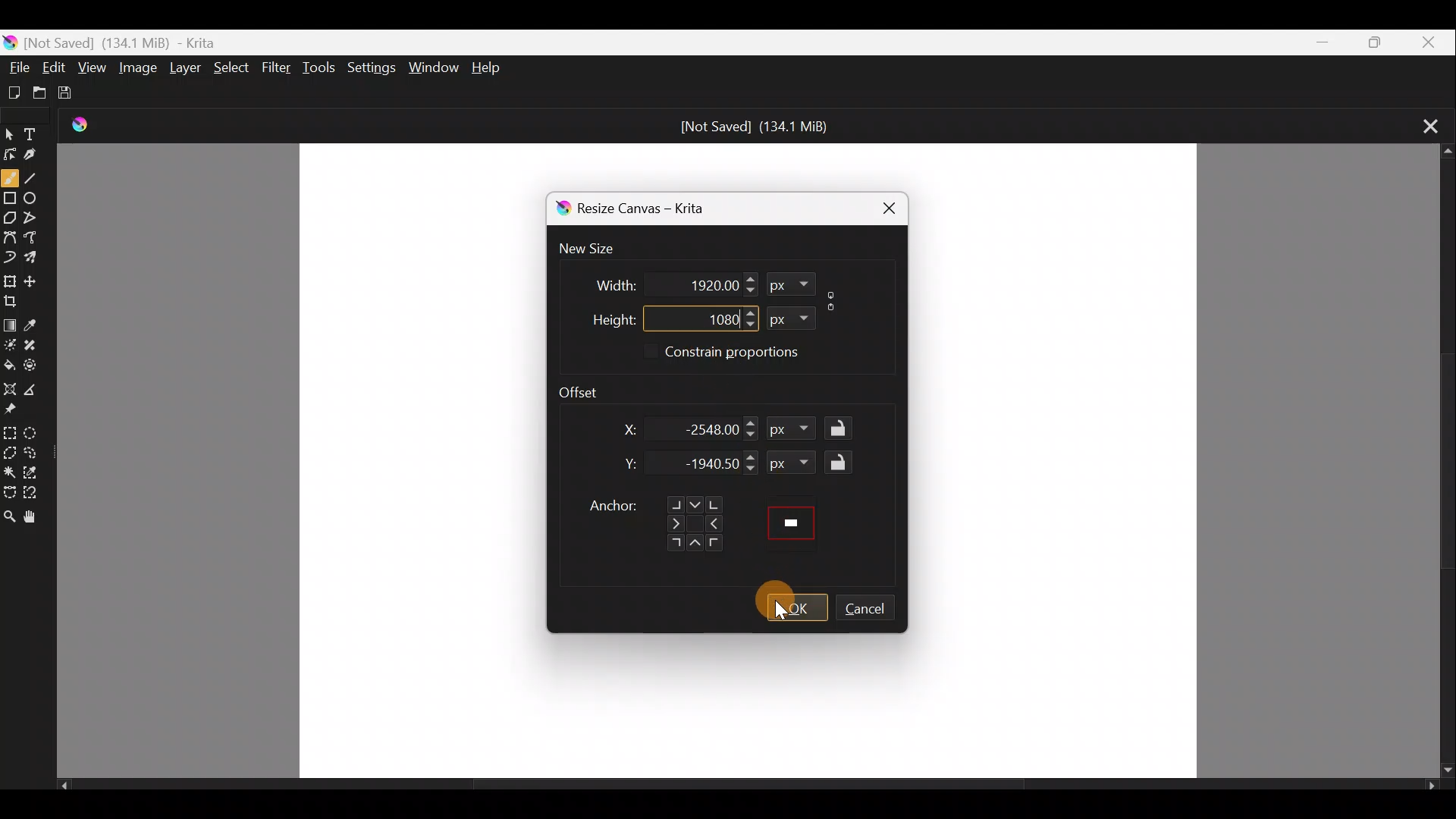 Image resolution: width=1456 pixels, height=819 pixels. Describe the element at coordinates (750, 325) in the screenshot. I see `Decrease height` at that location.